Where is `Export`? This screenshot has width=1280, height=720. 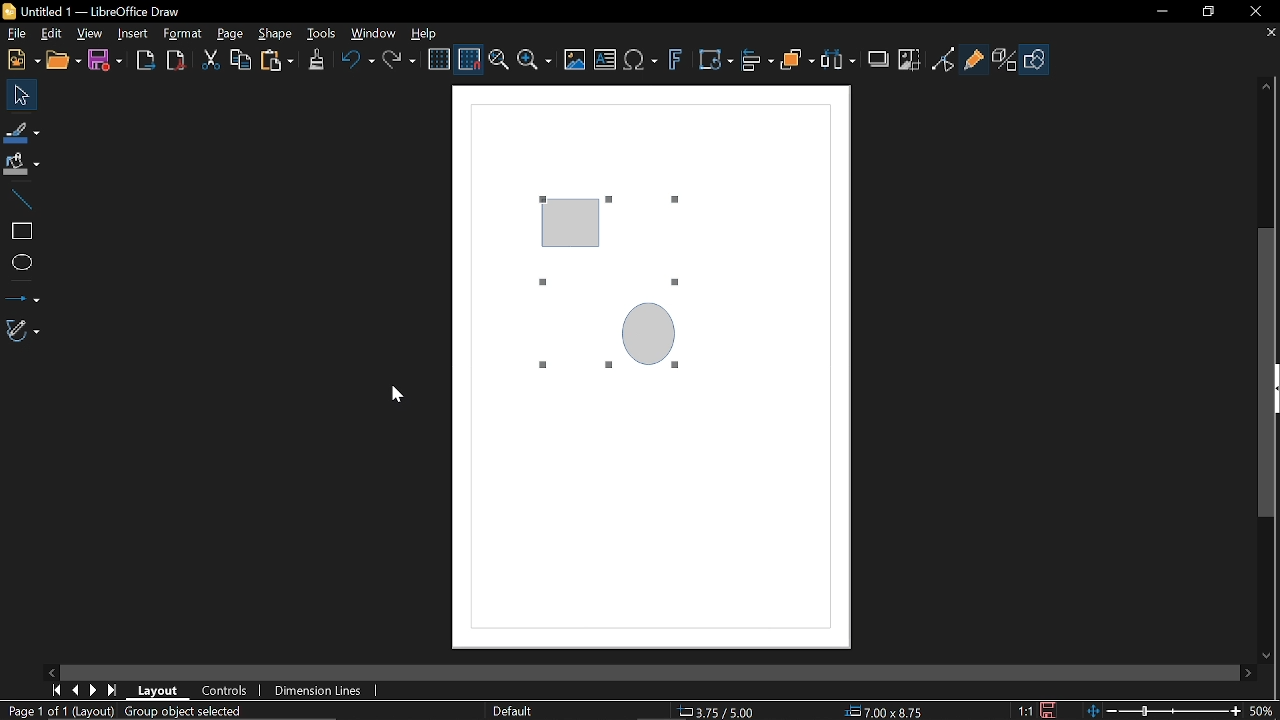
Export is located at coordinates (145, 63).